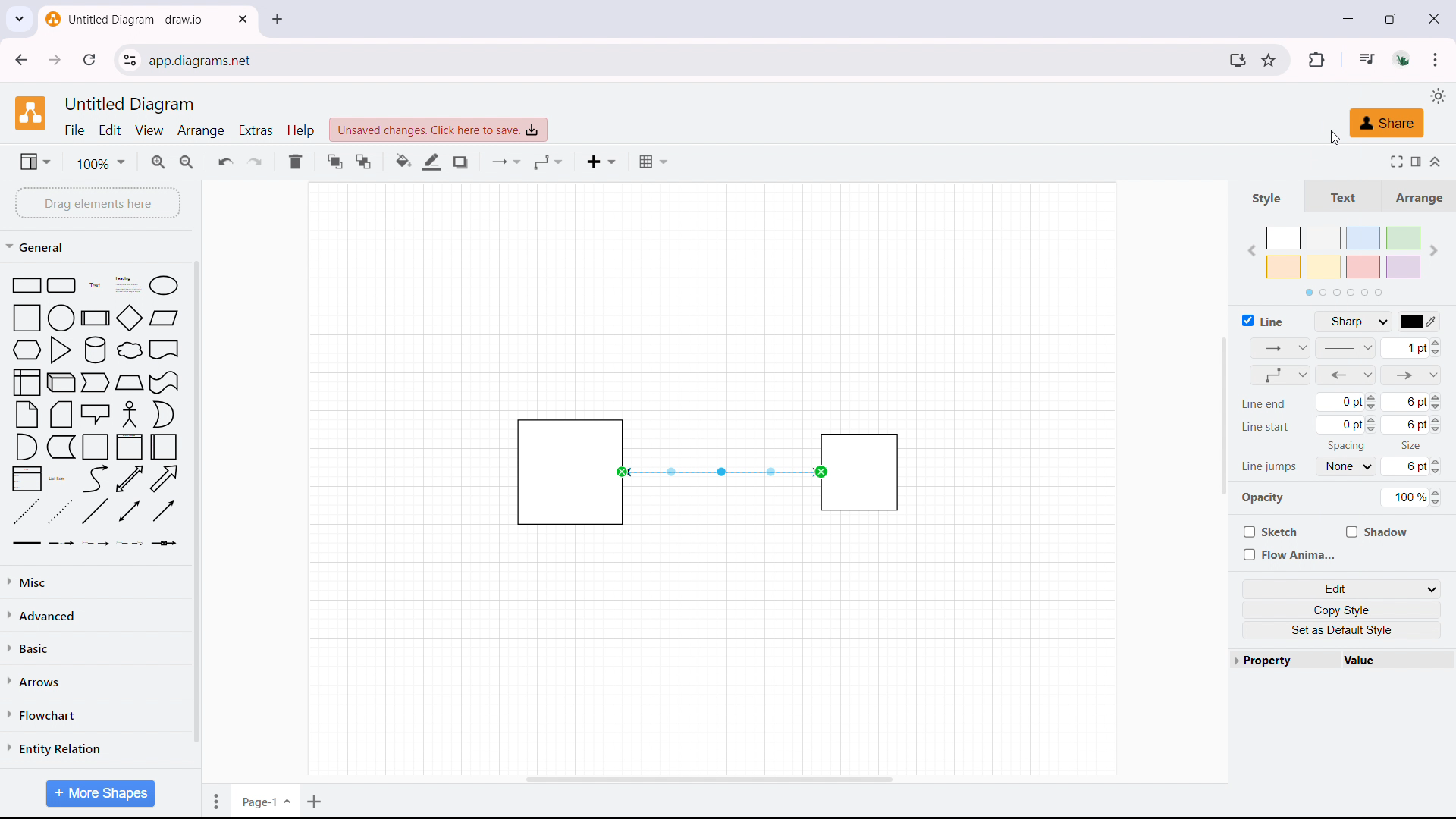 The image size is (1456, 819). I want to click on line style, so click(1357, 322).